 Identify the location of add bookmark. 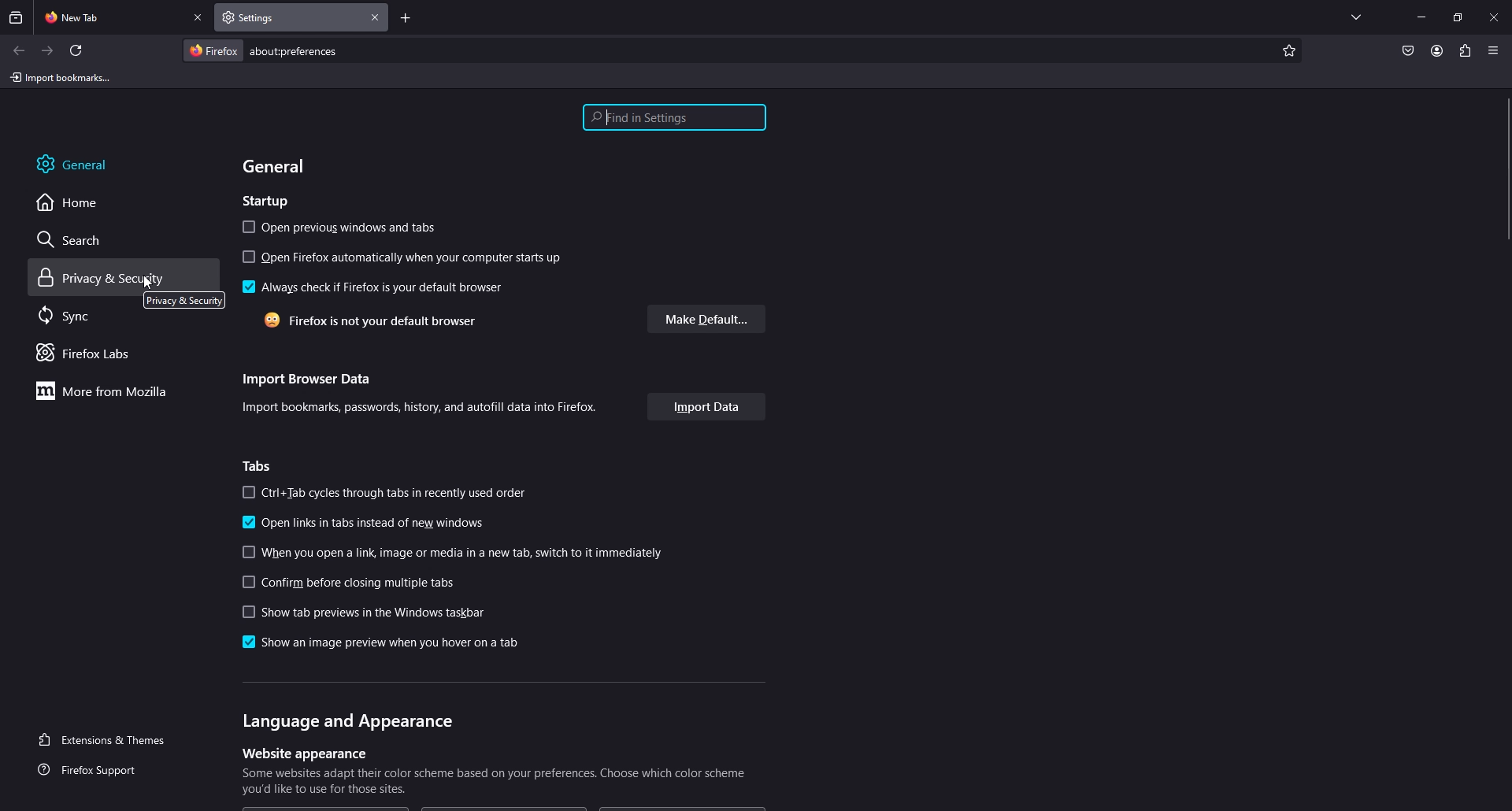
(1287, 51).